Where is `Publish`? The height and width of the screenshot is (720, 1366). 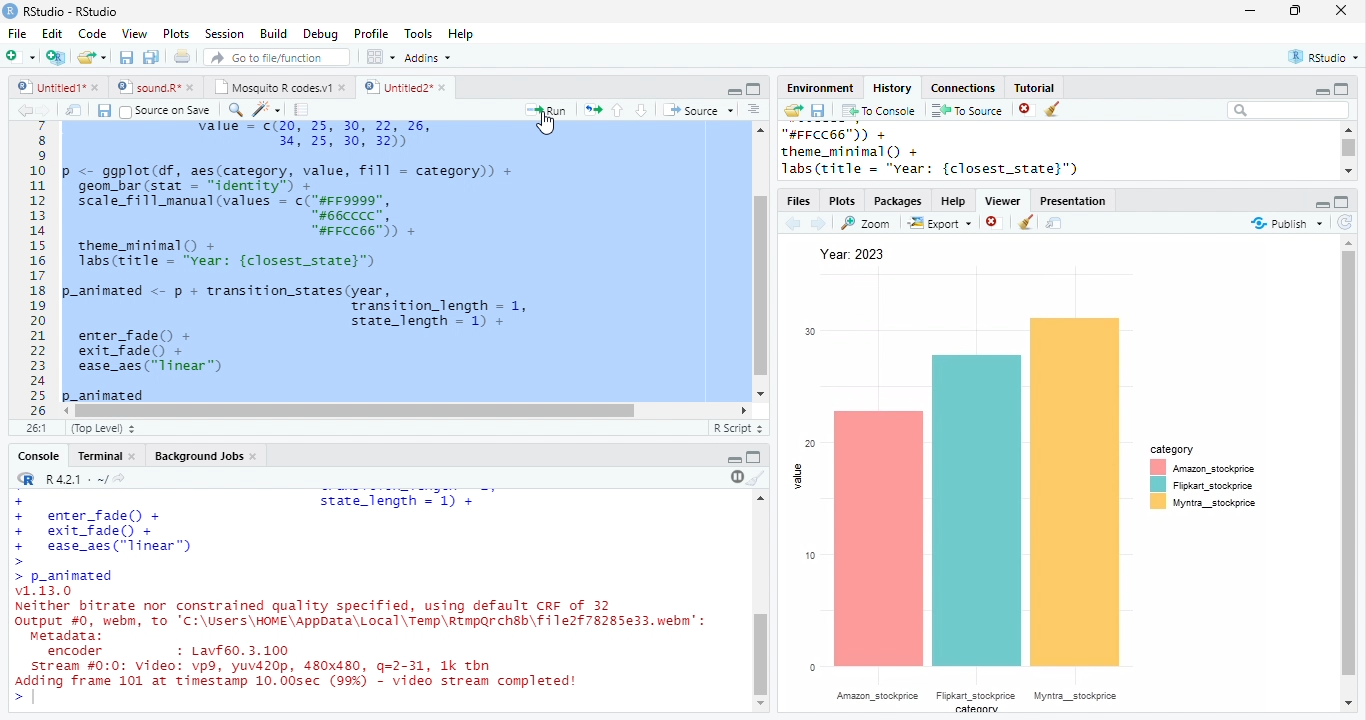
Publish is located at coordinates (1286, 223).